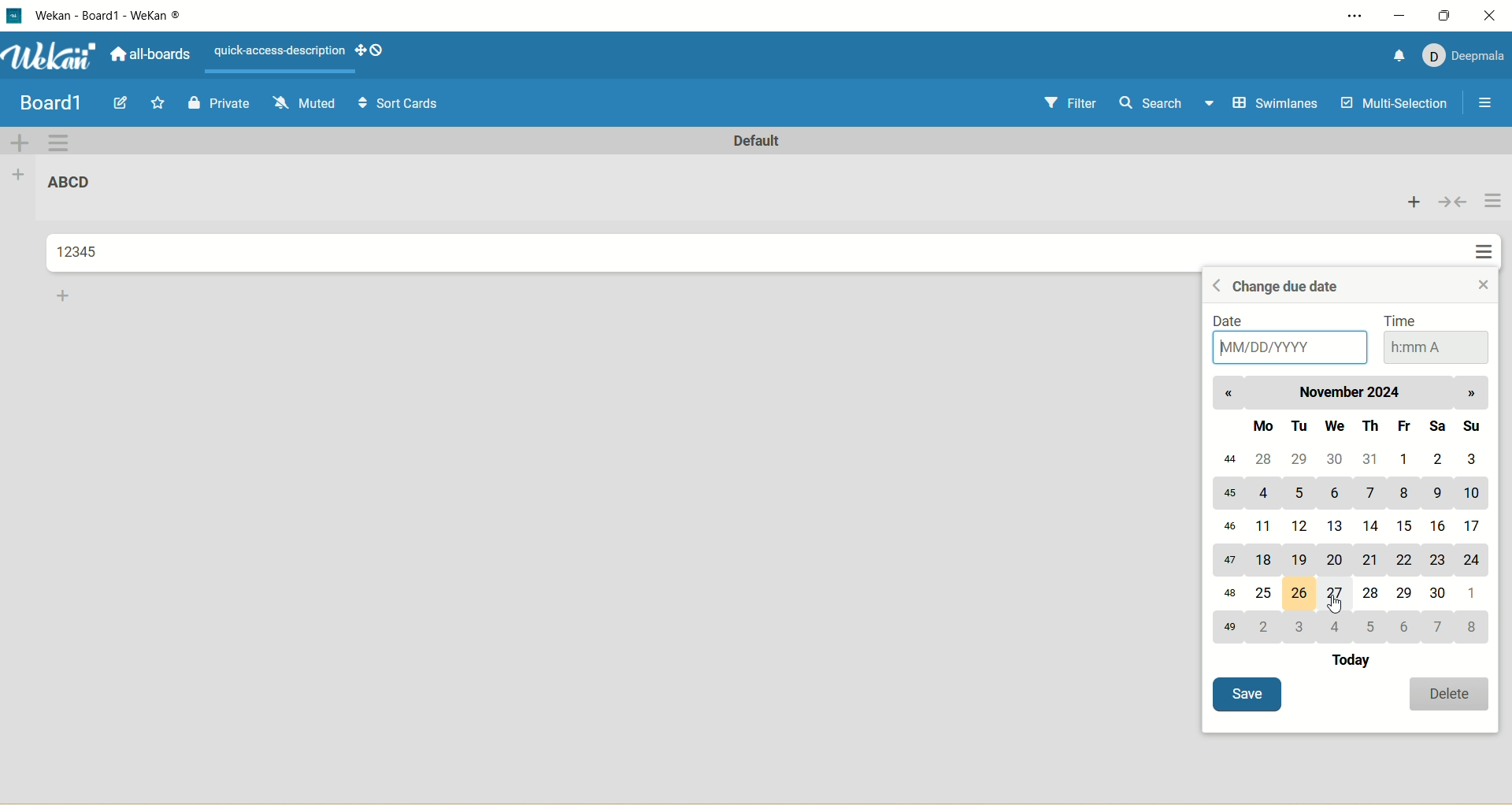 This screenshot has height=805, width=1512. What do you see at coordinates (1277, 287) in the screenshot?
I see `change due date` at bounding box center [1277, 287].